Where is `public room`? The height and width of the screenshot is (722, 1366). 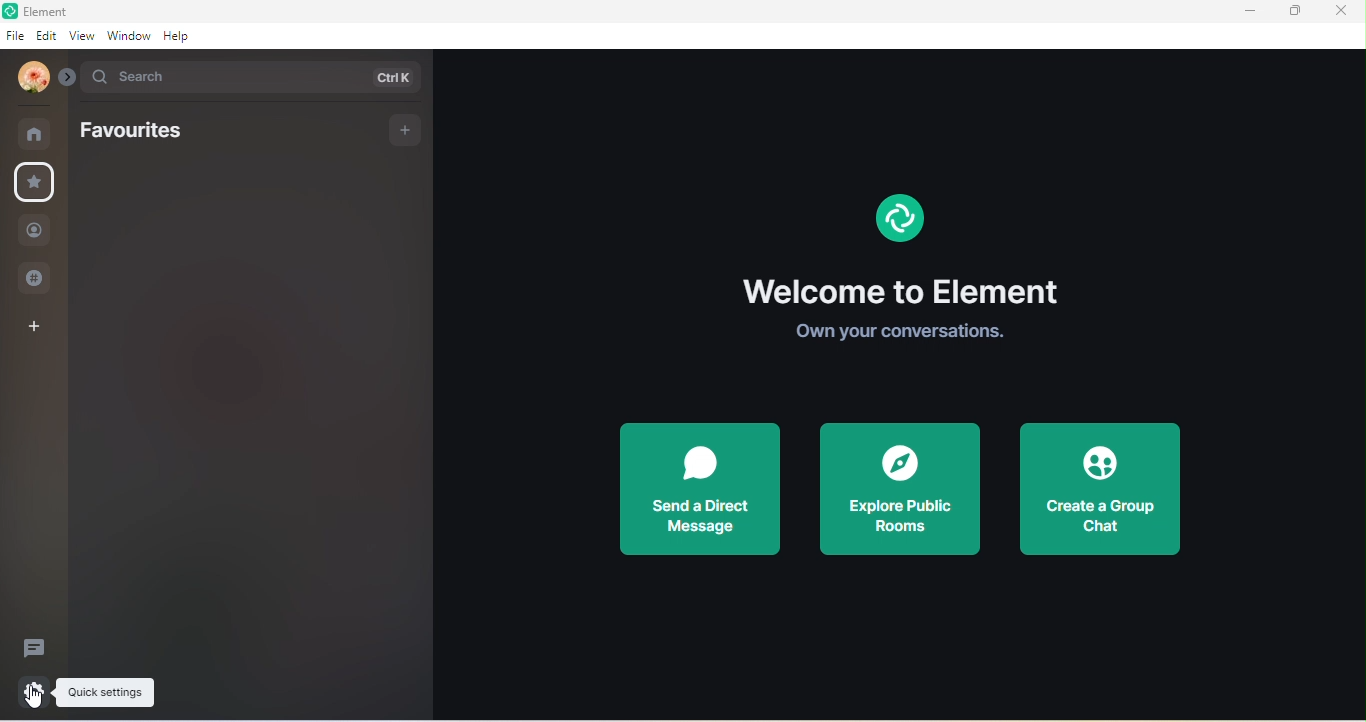
public room is located at coordinates (36, 280).